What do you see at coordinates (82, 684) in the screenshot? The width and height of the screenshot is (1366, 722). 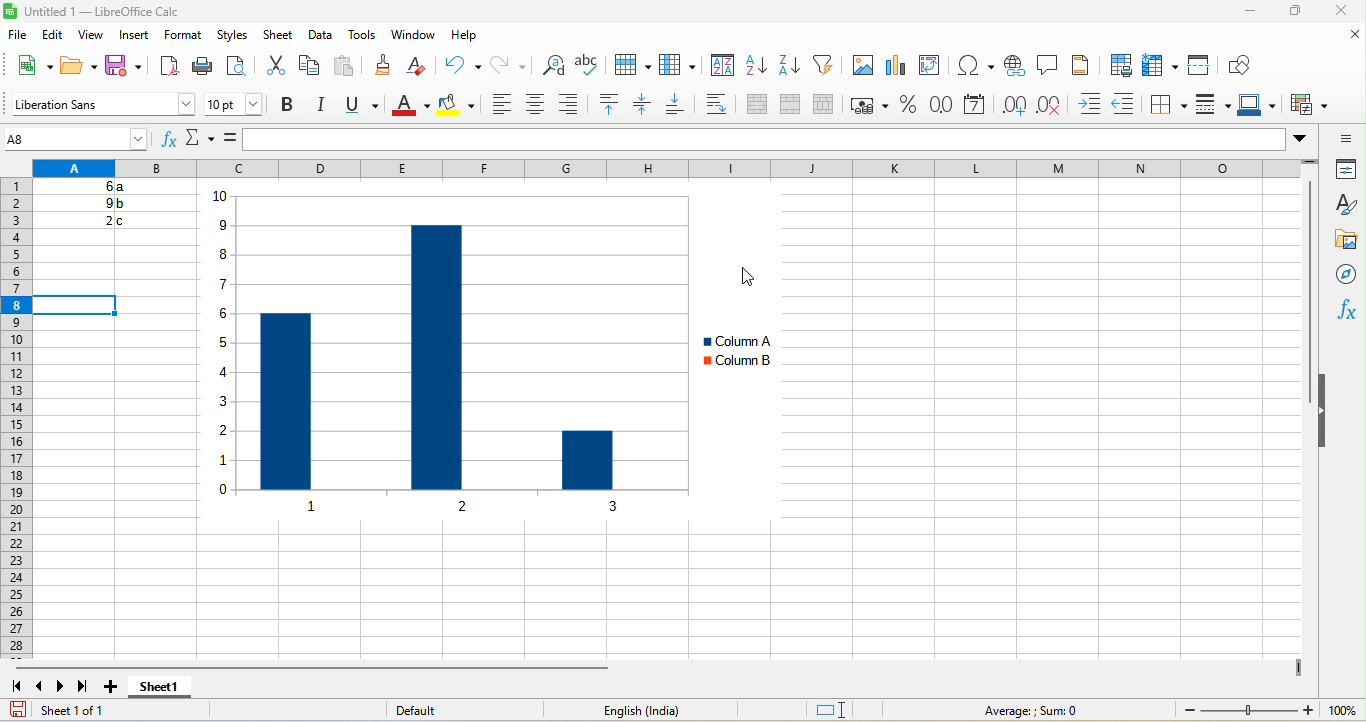 I see `last sheet` at bounding box center [82, 684].